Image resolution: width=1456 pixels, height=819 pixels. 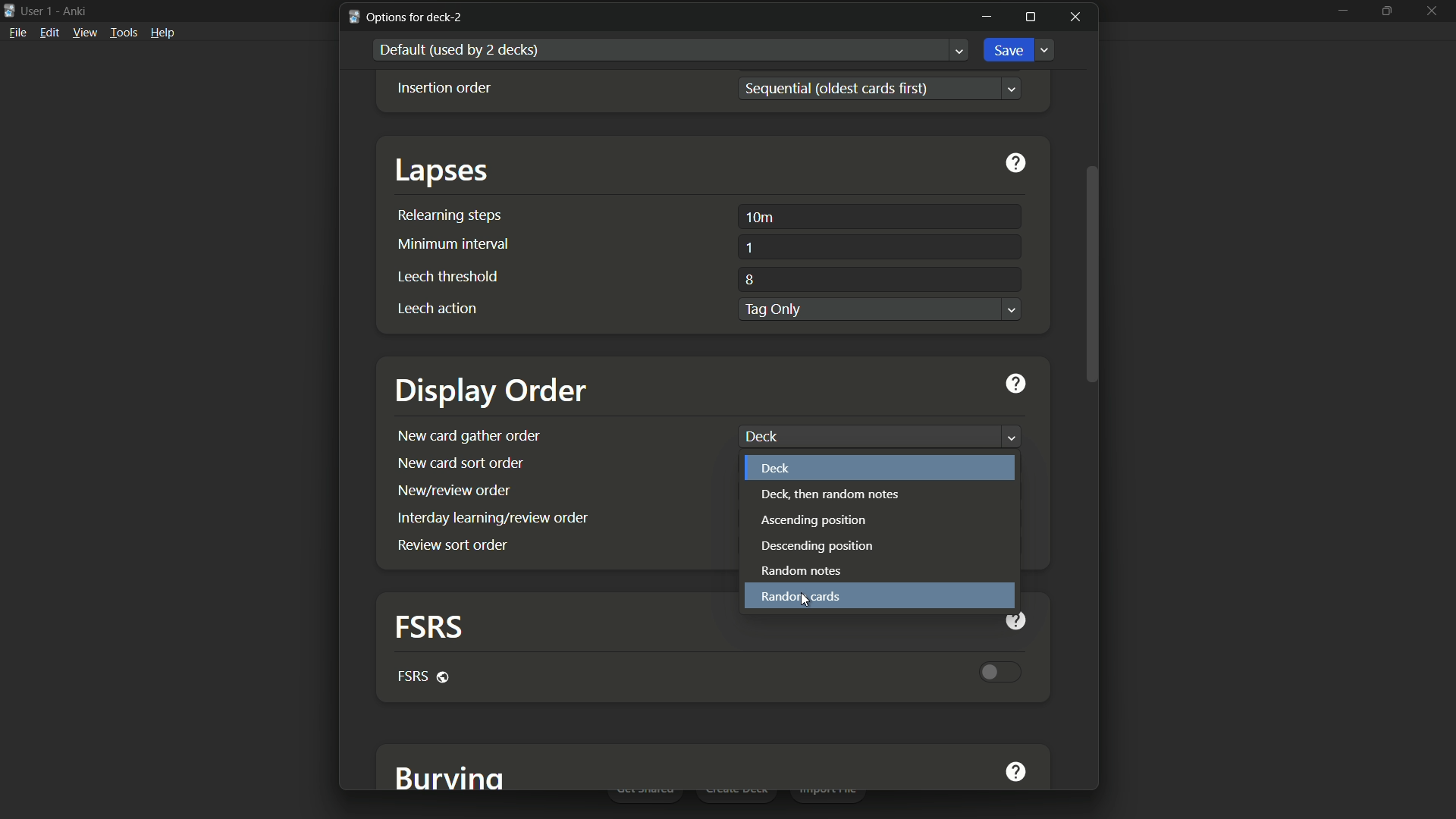 What do you see at coordinates (1046, 51) in the screenshot?
I see `Dropdown` at bounding box center [1046, 51].